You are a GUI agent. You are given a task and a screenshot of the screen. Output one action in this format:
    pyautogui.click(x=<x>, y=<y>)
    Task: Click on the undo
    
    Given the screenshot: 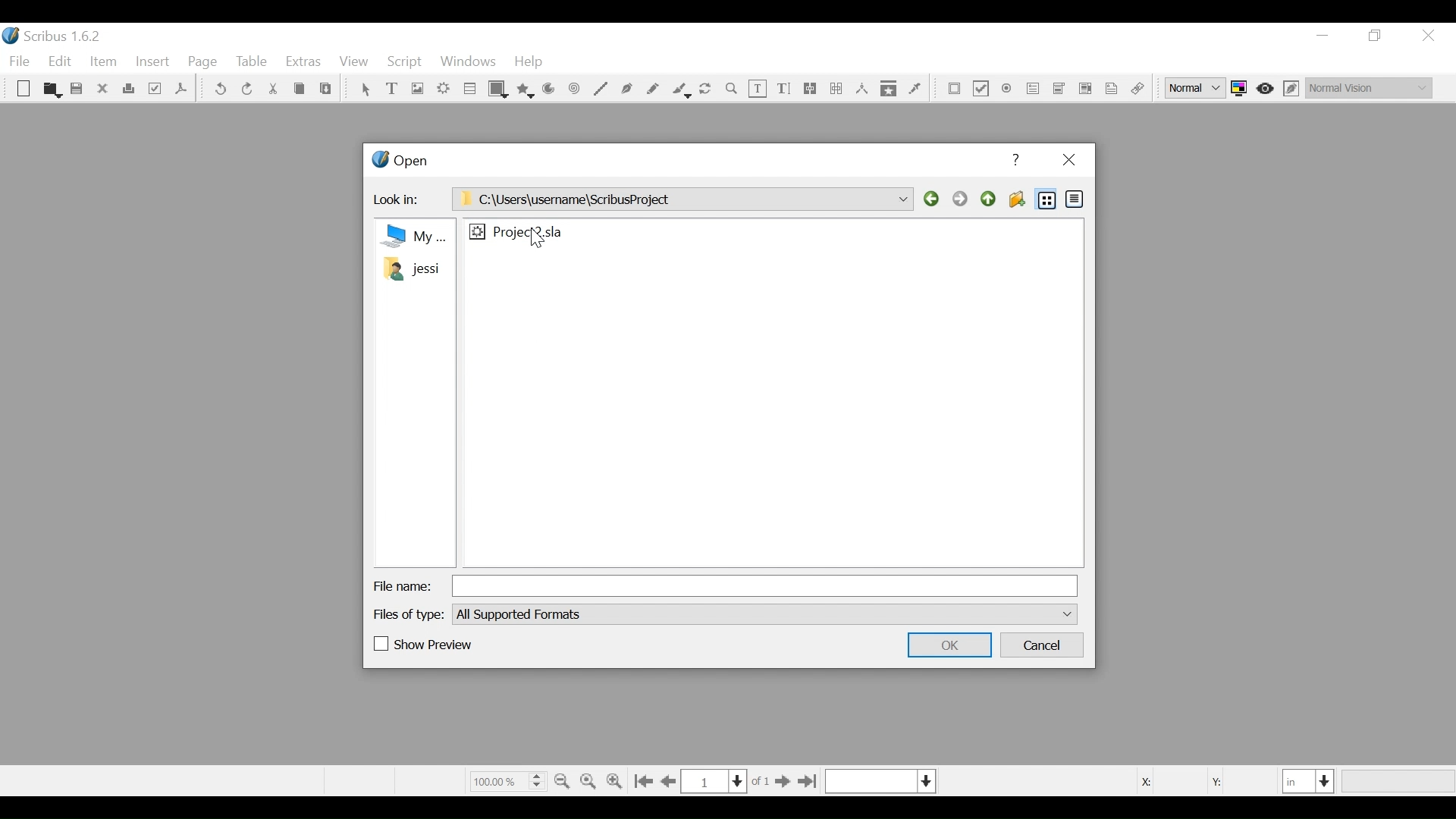 What is the action you would take?
    pyautogui.click(x=221, y=89)
    